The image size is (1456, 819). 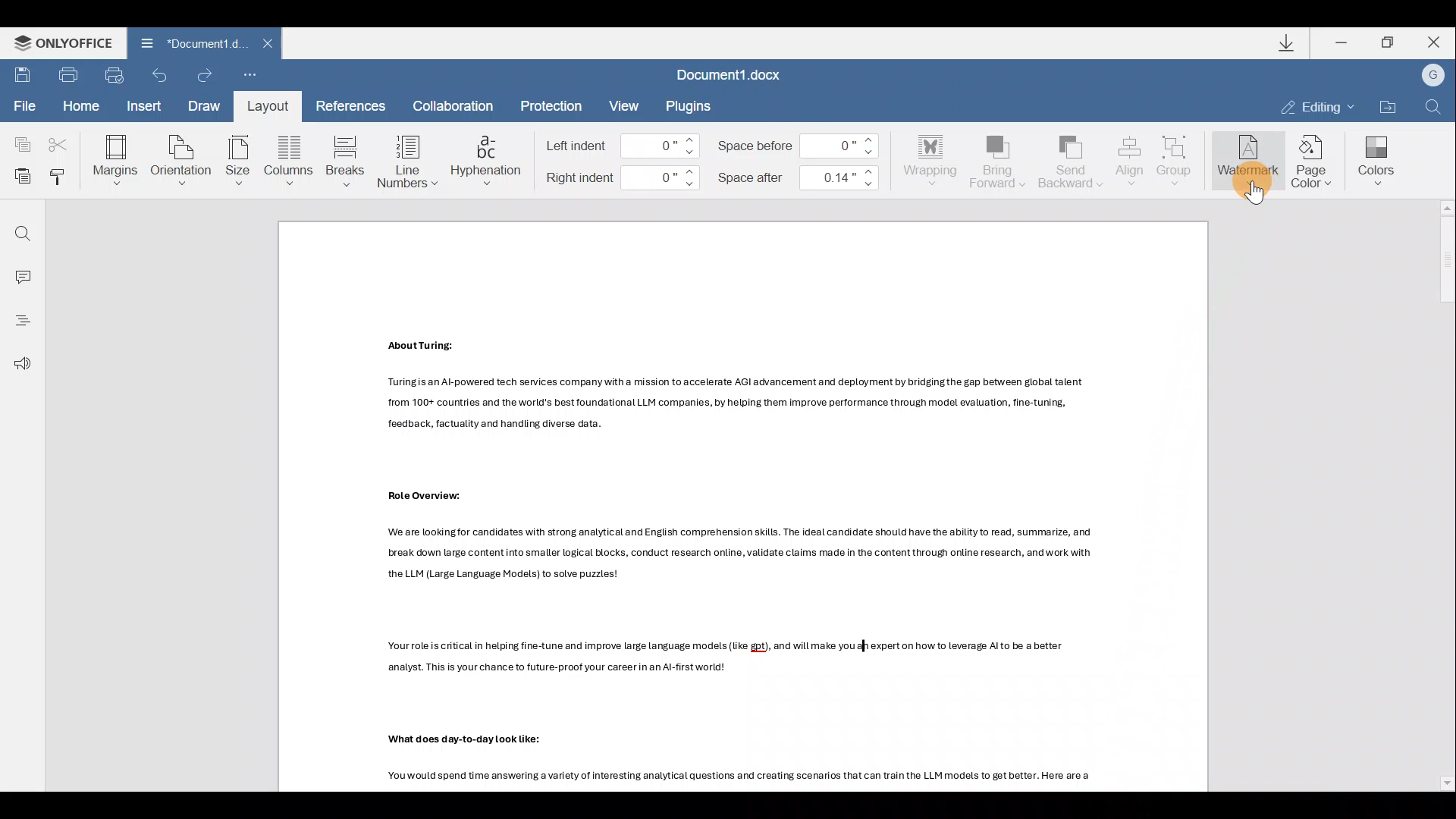 What do you see at coordinates (405, 161) in the screenshot?
I see `Line numbers` at bounding box center [405, 161].